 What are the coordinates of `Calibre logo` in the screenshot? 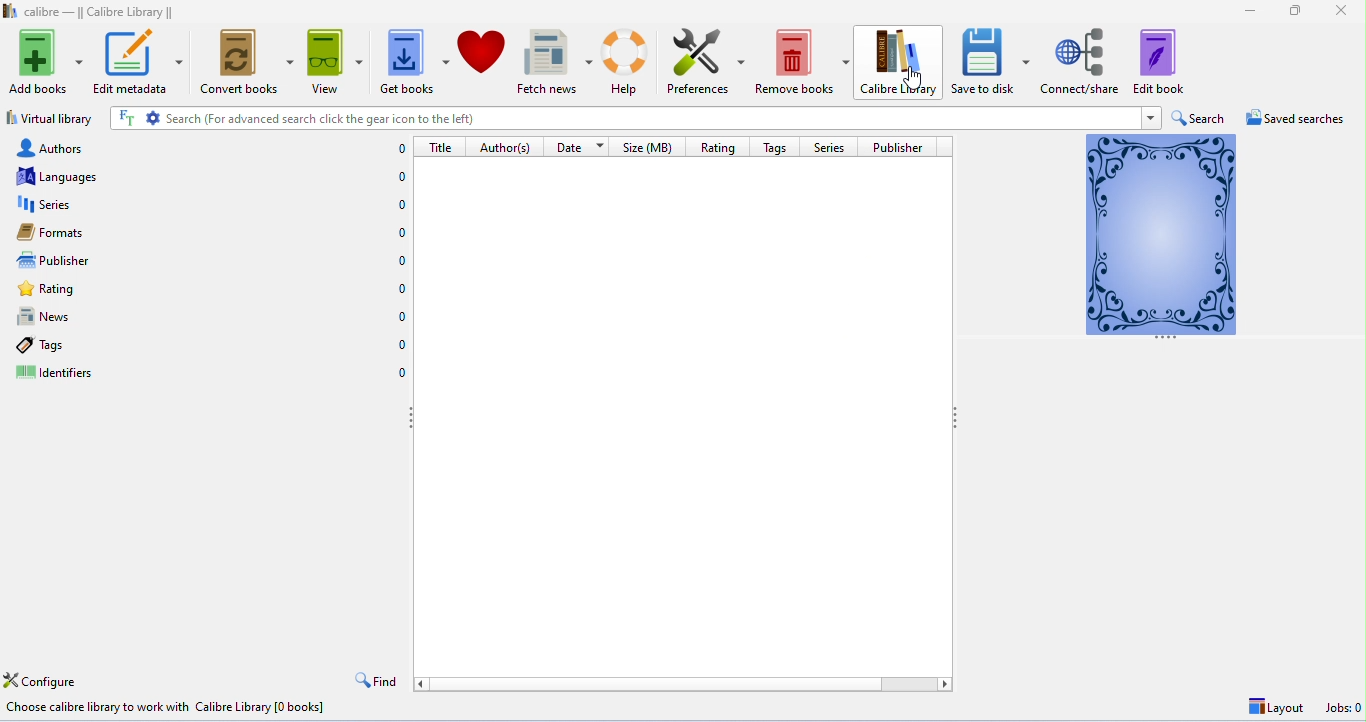 It's located at (10, 12).